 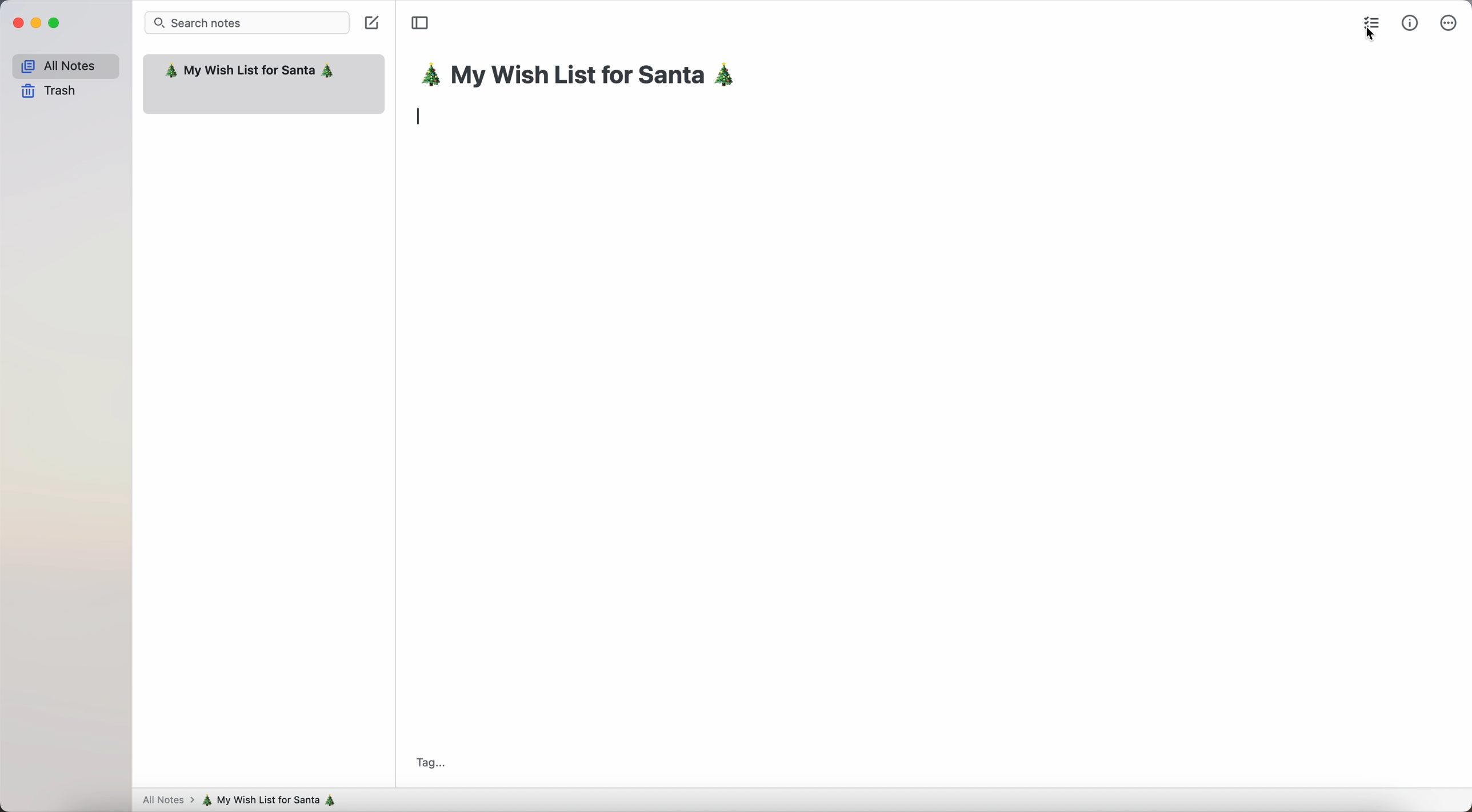 I want to click on My wish list for Santa, so click(x=250, y=72).